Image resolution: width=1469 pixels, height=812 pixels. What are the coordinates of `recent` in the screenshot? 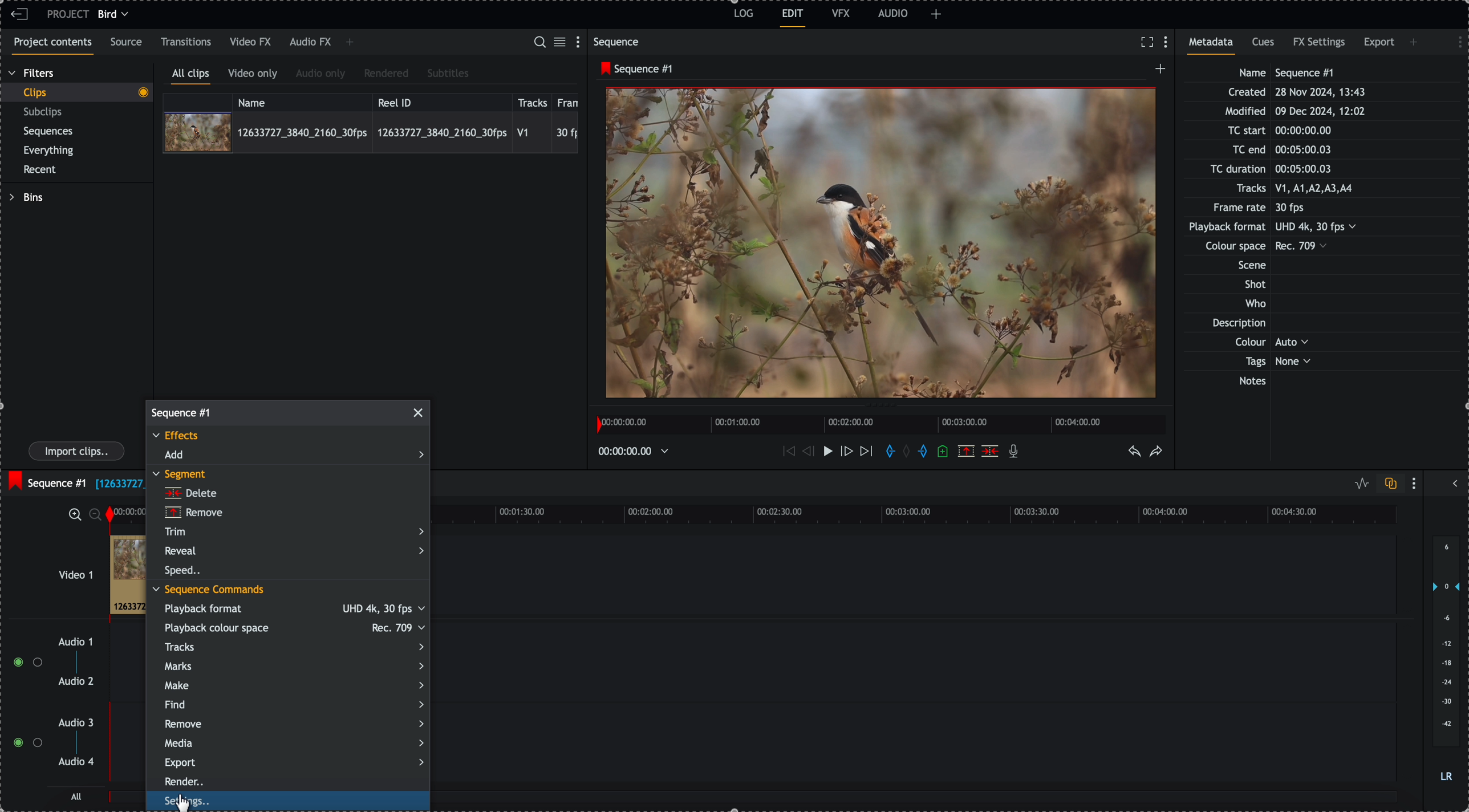 It's located at (42, 170).